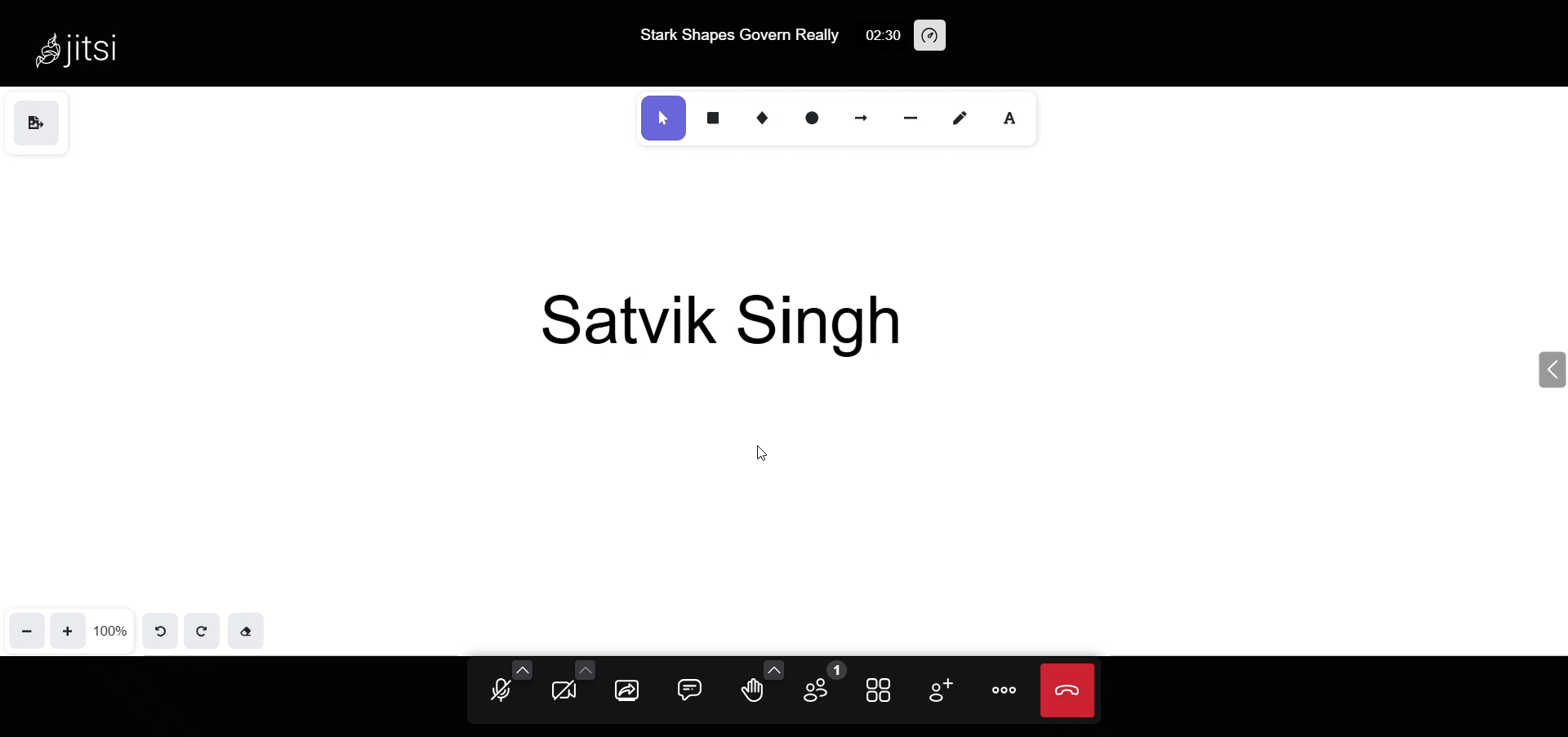 This screenshot has width=1568, height=737. I want to click on diamond, so click(759, 118).